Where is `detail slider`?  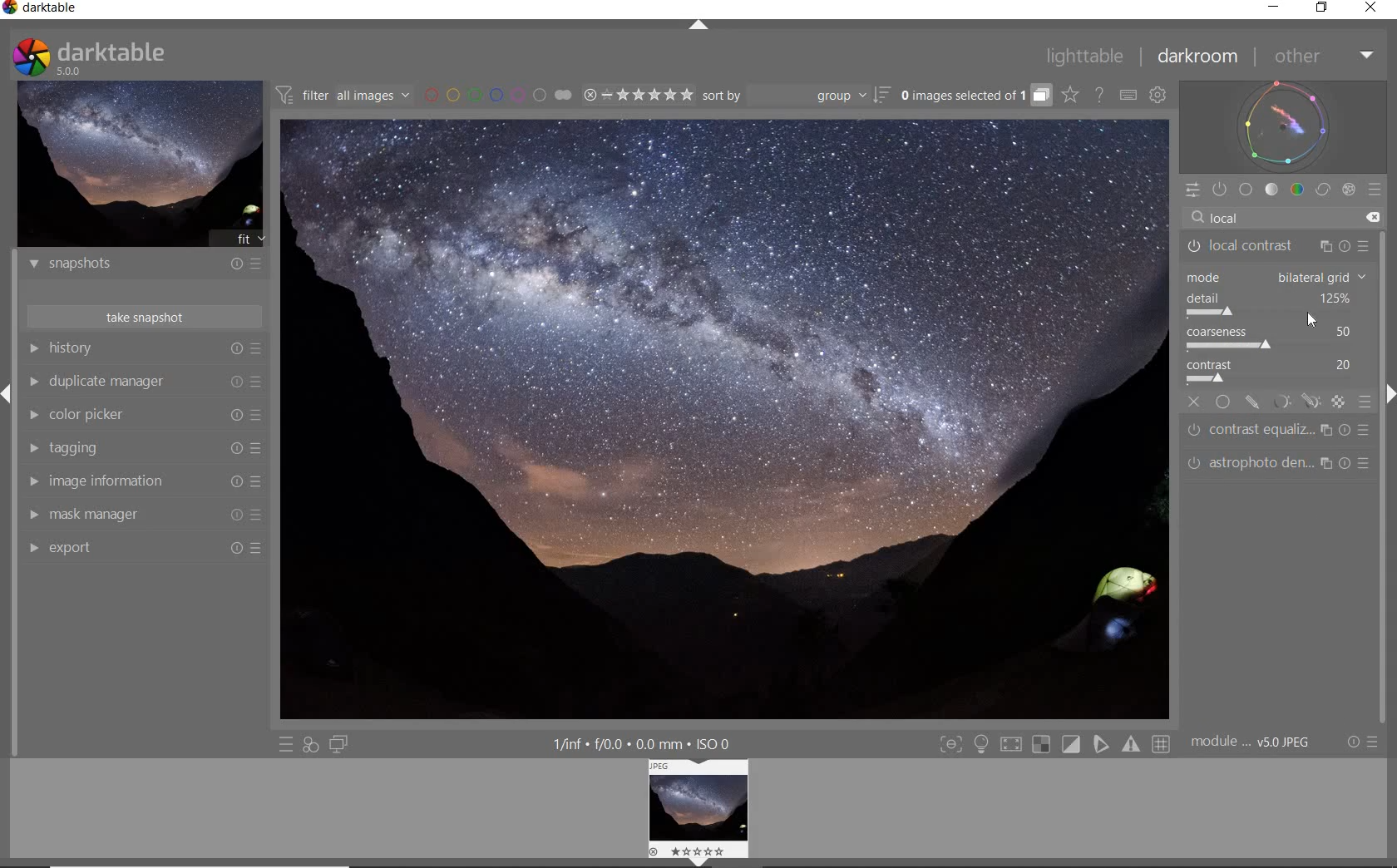
detail slider is located at coordinates (1212, 313).